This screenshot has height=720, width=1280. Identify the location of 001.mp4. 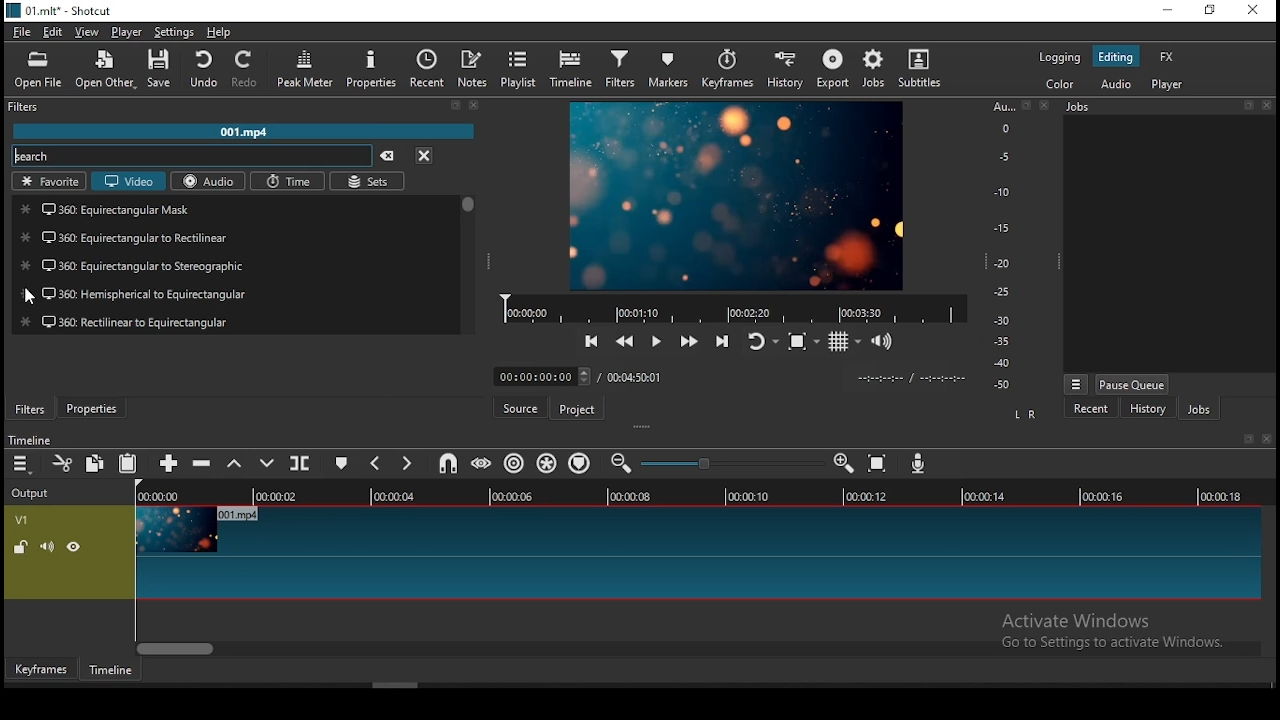
(252, 133).